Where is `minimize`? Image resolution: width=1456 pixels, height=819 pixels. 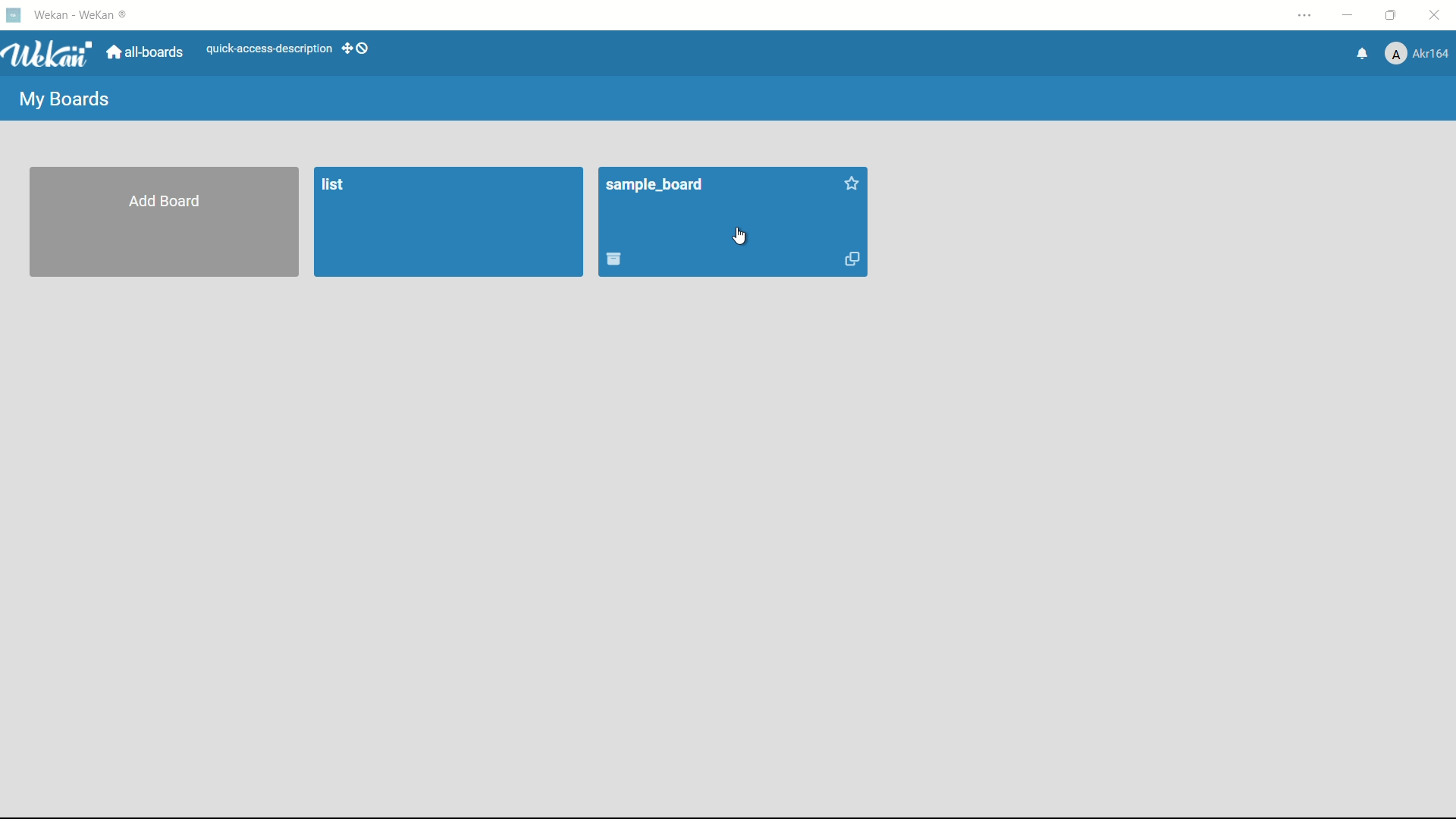
minimize is located at coordinates (1350, 15).